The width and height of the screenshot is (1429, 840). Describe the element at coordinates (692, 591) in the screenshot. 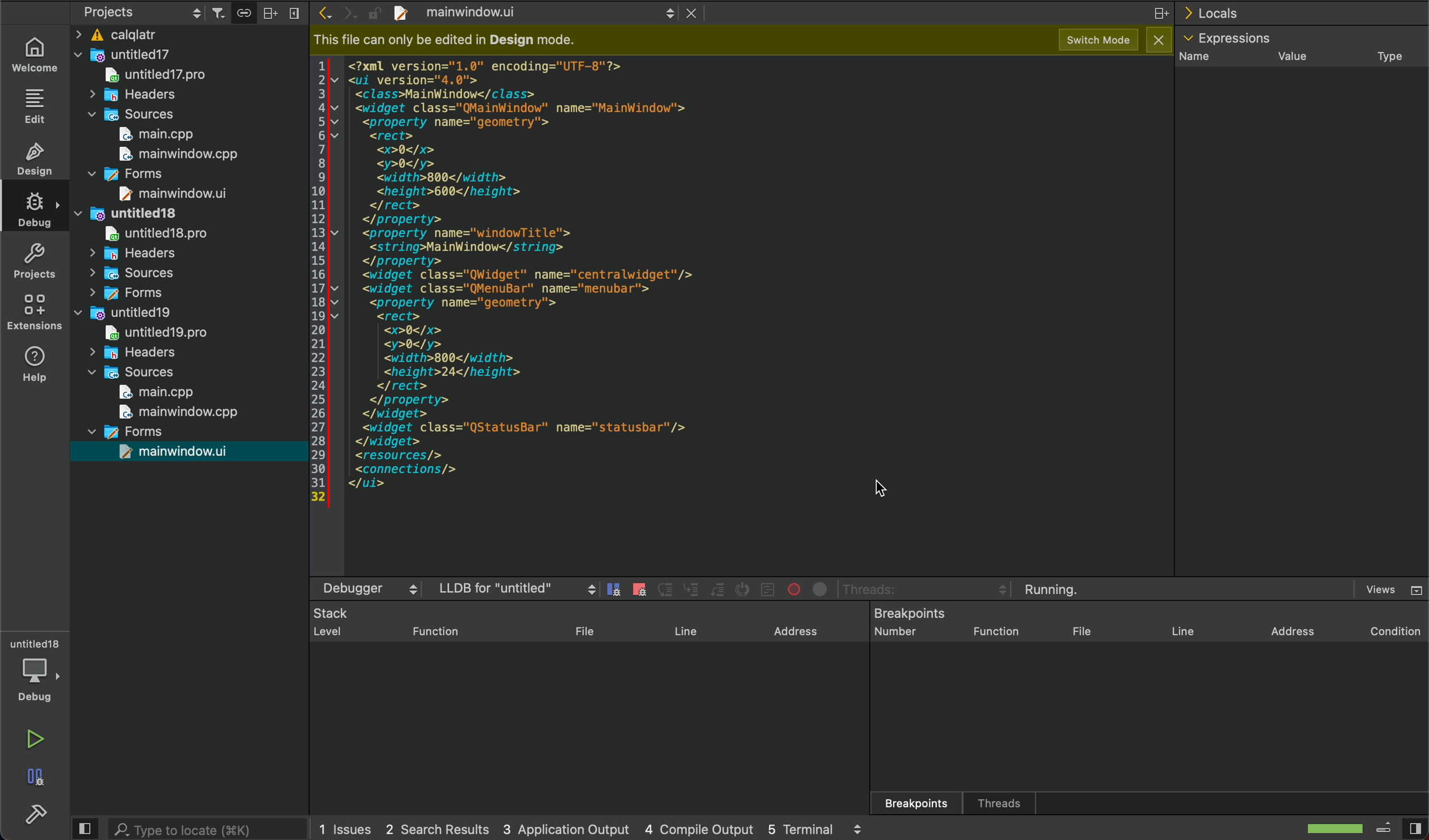

I see `terminal button` at that location.